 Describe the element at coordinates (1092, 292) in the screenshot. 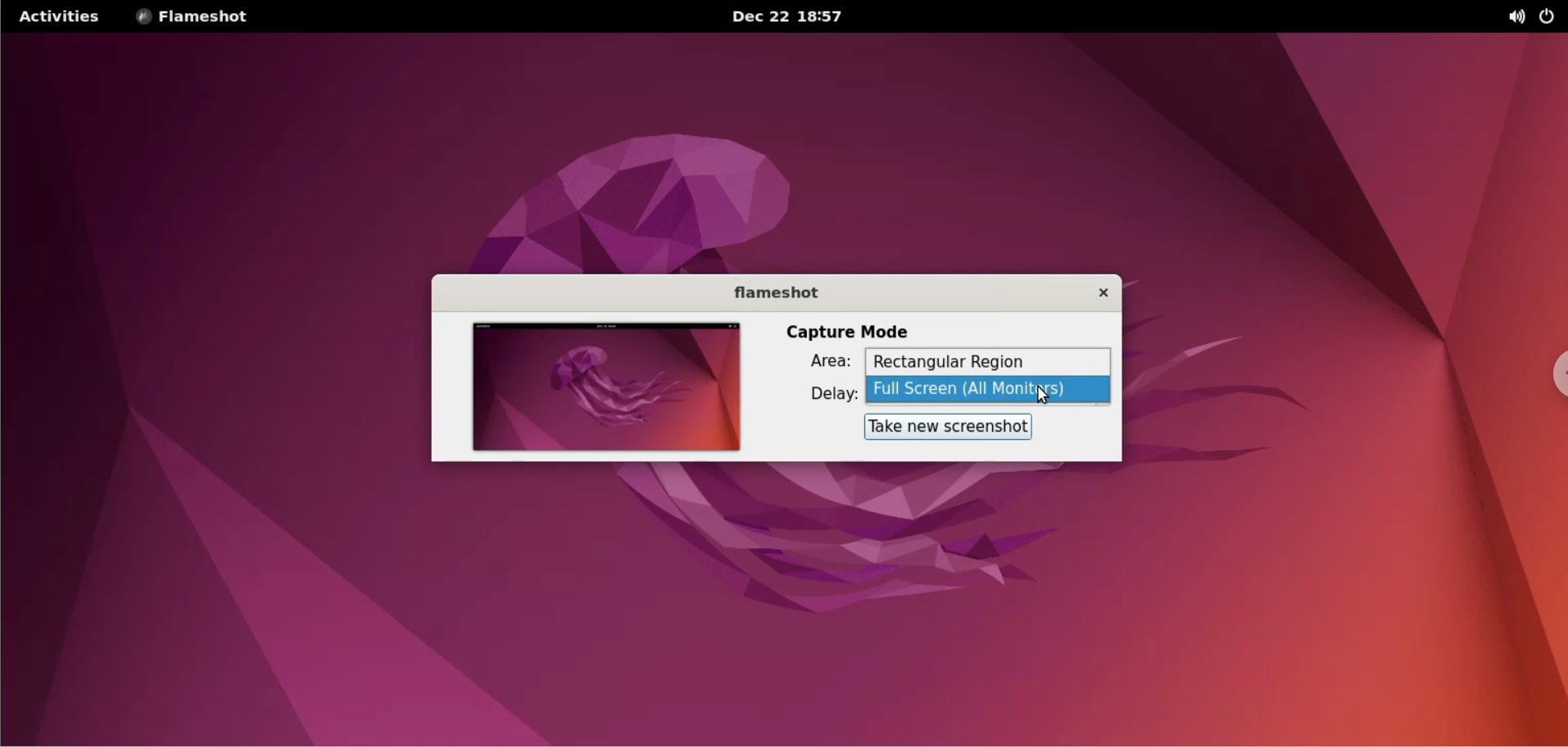

I see `close` at that location.